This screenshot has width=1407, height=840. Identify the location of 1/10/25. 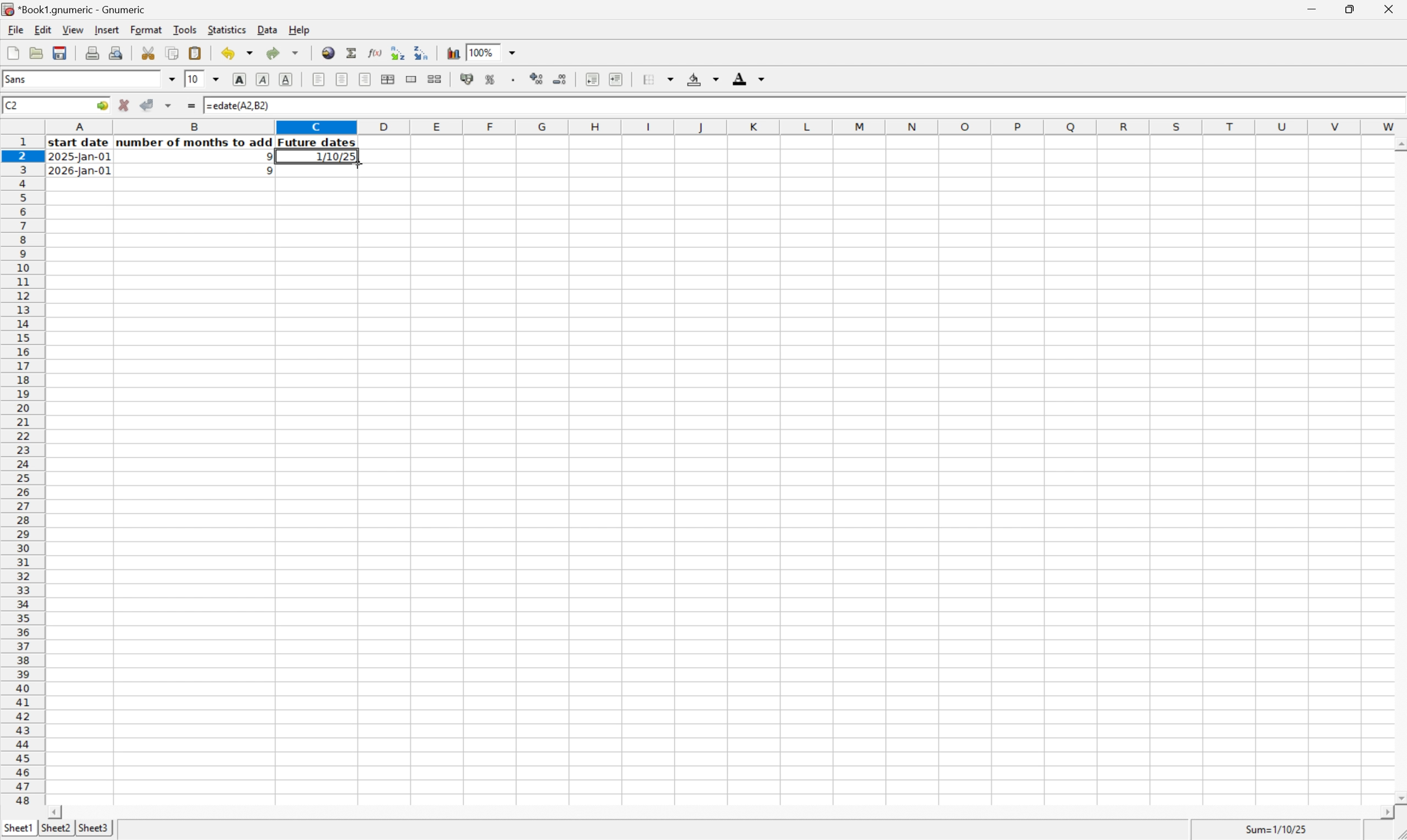
(332, 157).